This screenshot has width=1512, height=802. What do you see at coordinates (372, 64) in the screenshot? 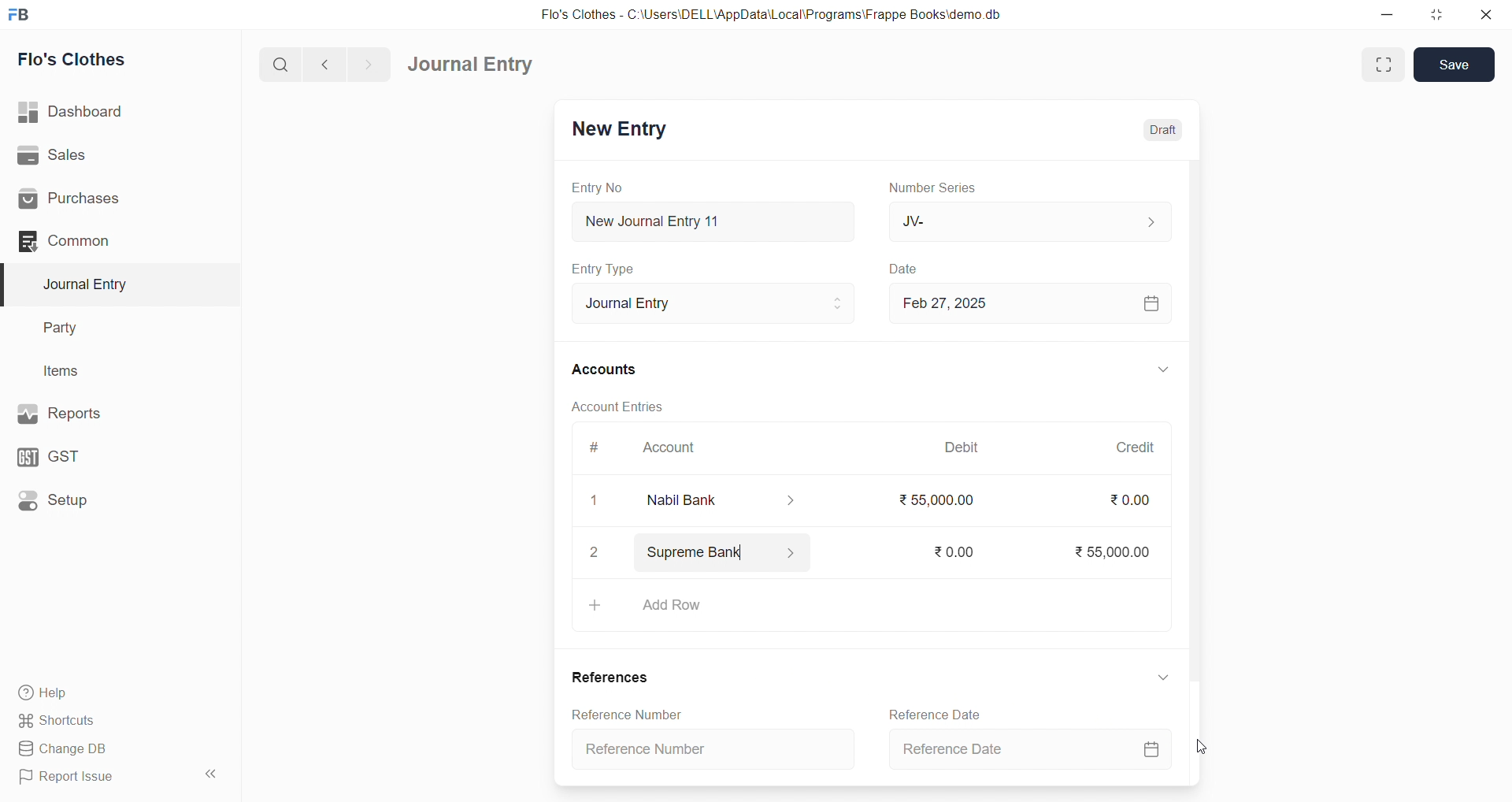
I see `navigate forward` at bounding box center [372, 64].